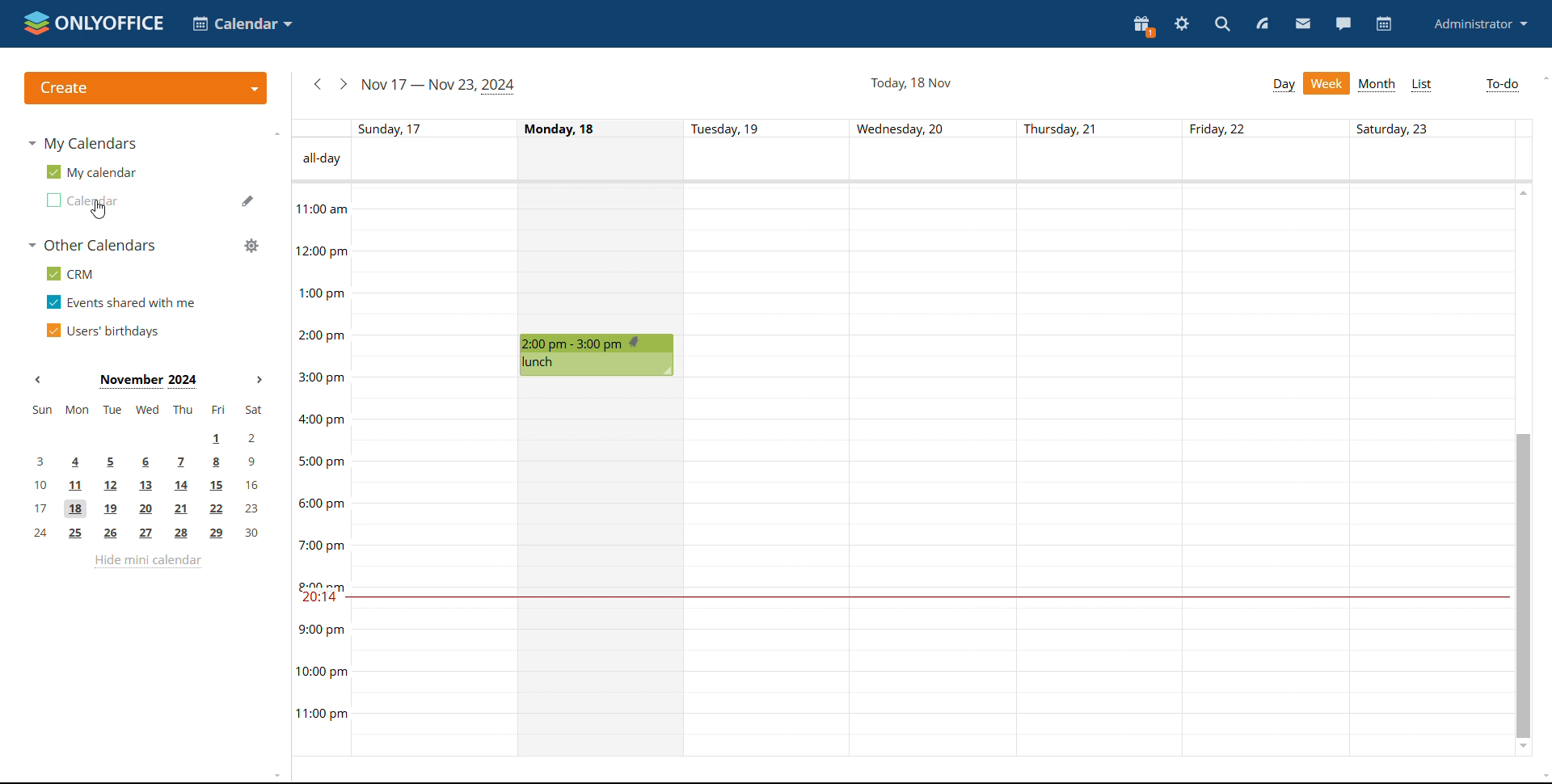 This screenshot has height=784, width=1552. I want to click on create, so click(145, 88).